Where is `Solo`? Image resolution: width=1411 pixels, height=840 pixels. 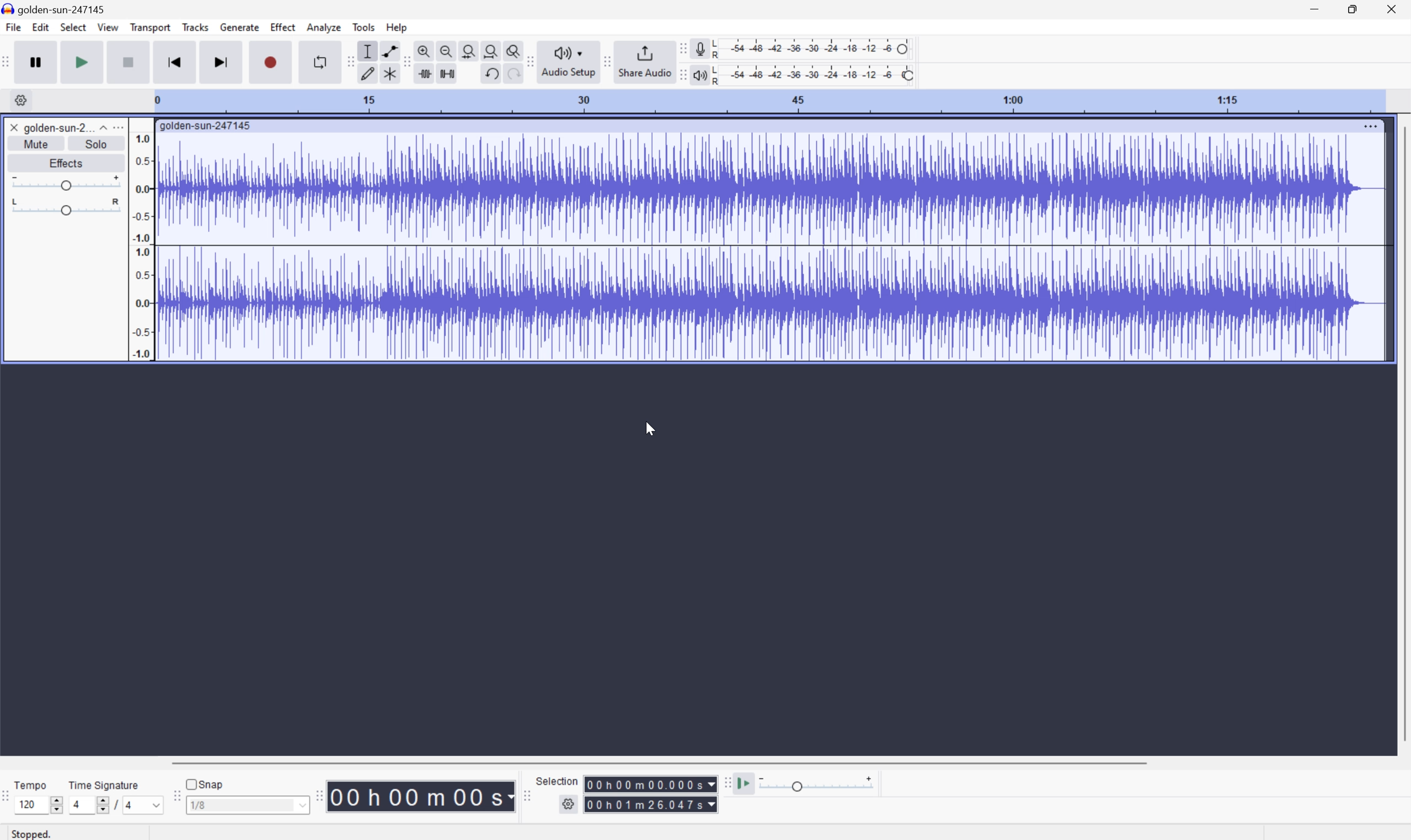
Solo is located at coordinates (96, 144).